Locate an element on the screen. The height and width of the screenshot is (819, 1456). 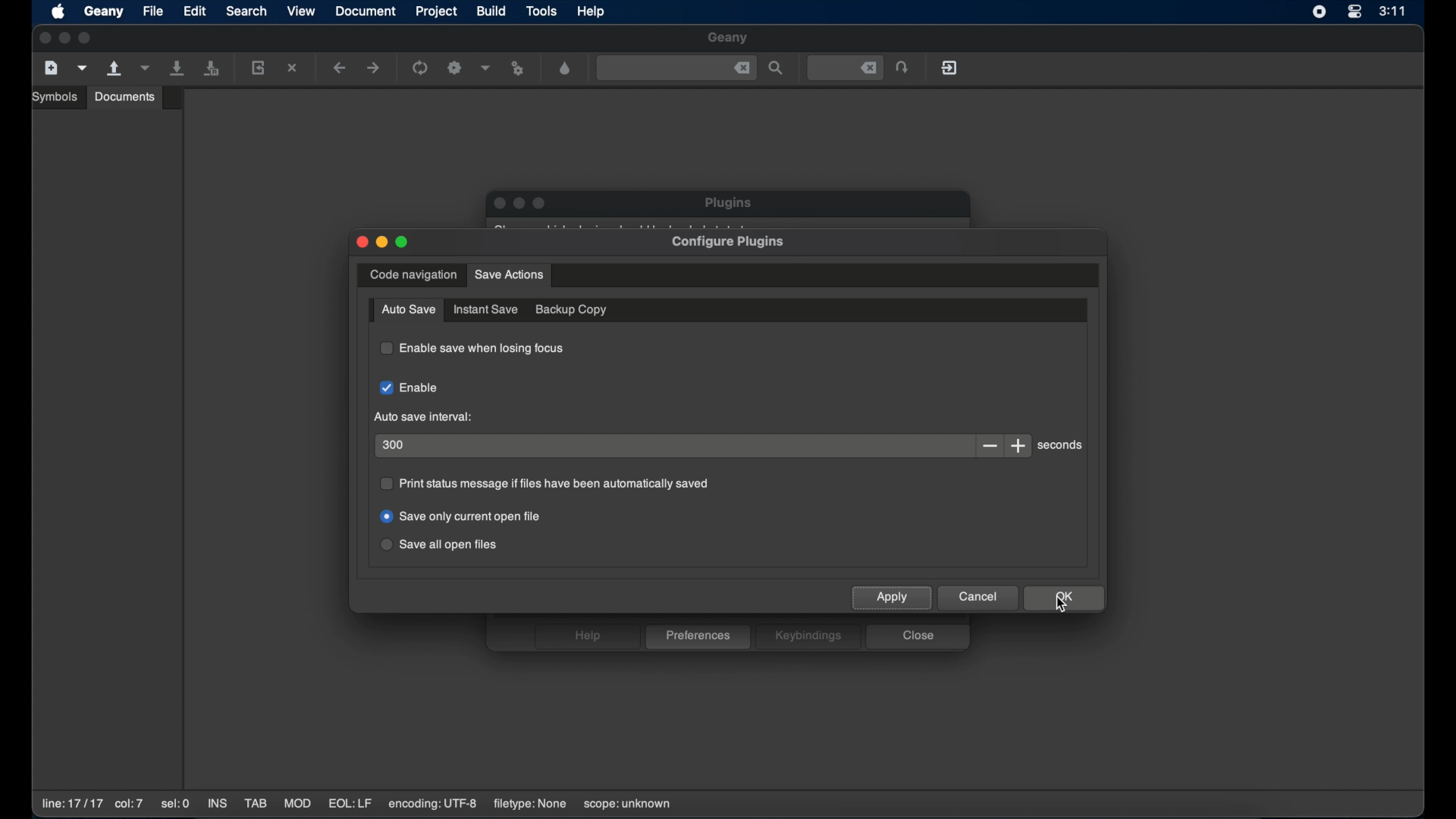
close is located at coordinates (742, 68).